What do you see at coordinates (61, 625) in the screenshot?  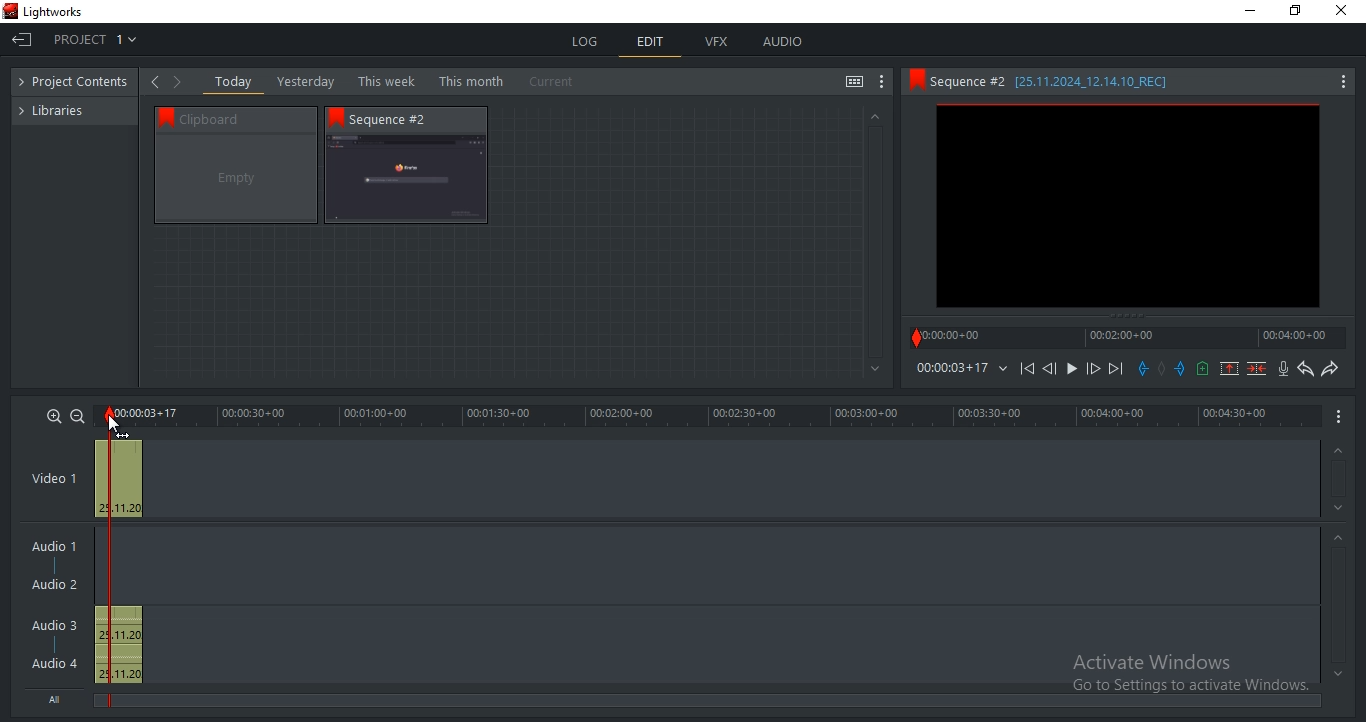 I see `Audio 3` at bounding box center [61, 625].